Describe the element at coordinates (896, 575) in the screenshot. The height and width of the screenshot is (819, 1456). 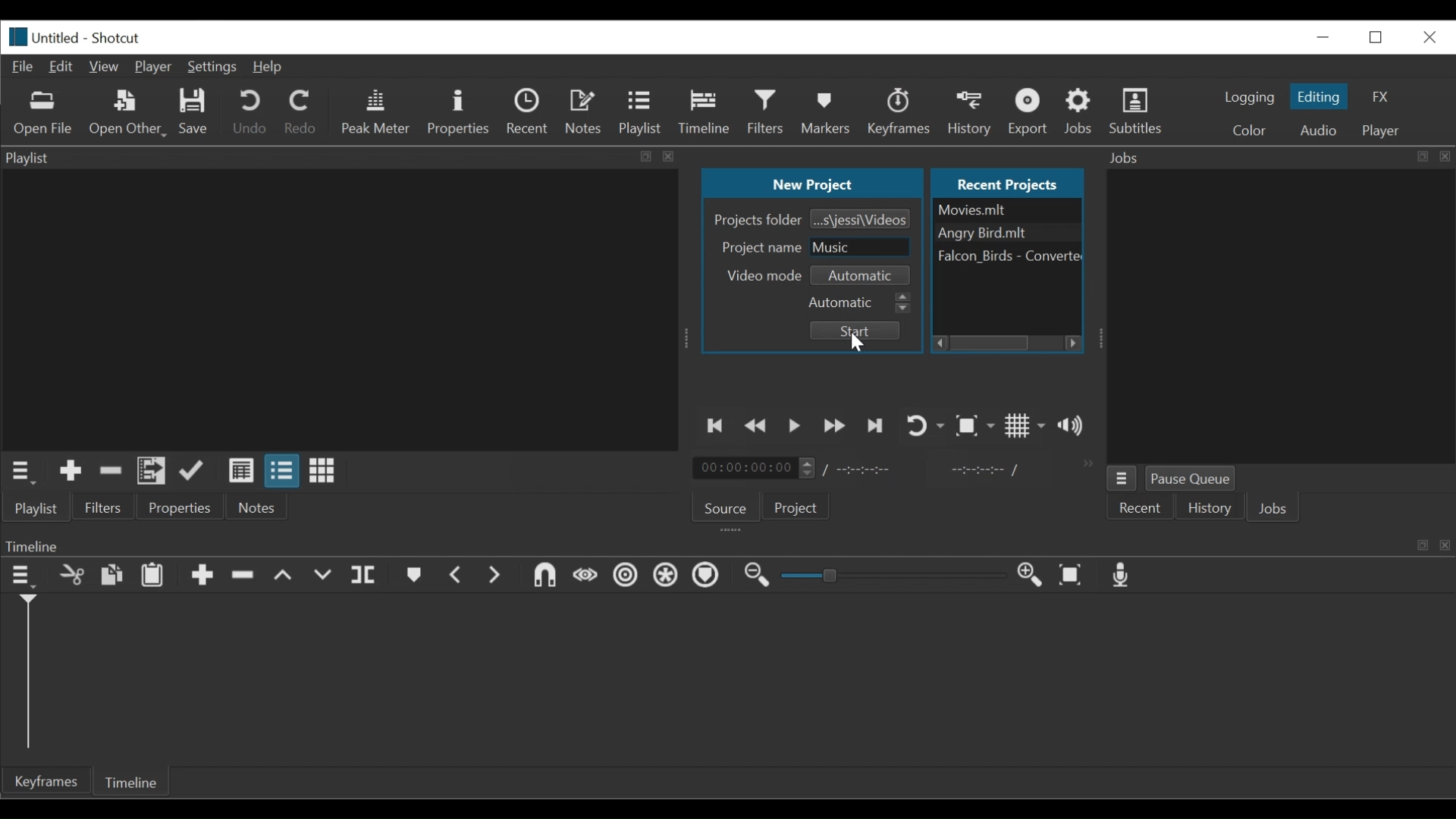
I see `Slider` at that location.